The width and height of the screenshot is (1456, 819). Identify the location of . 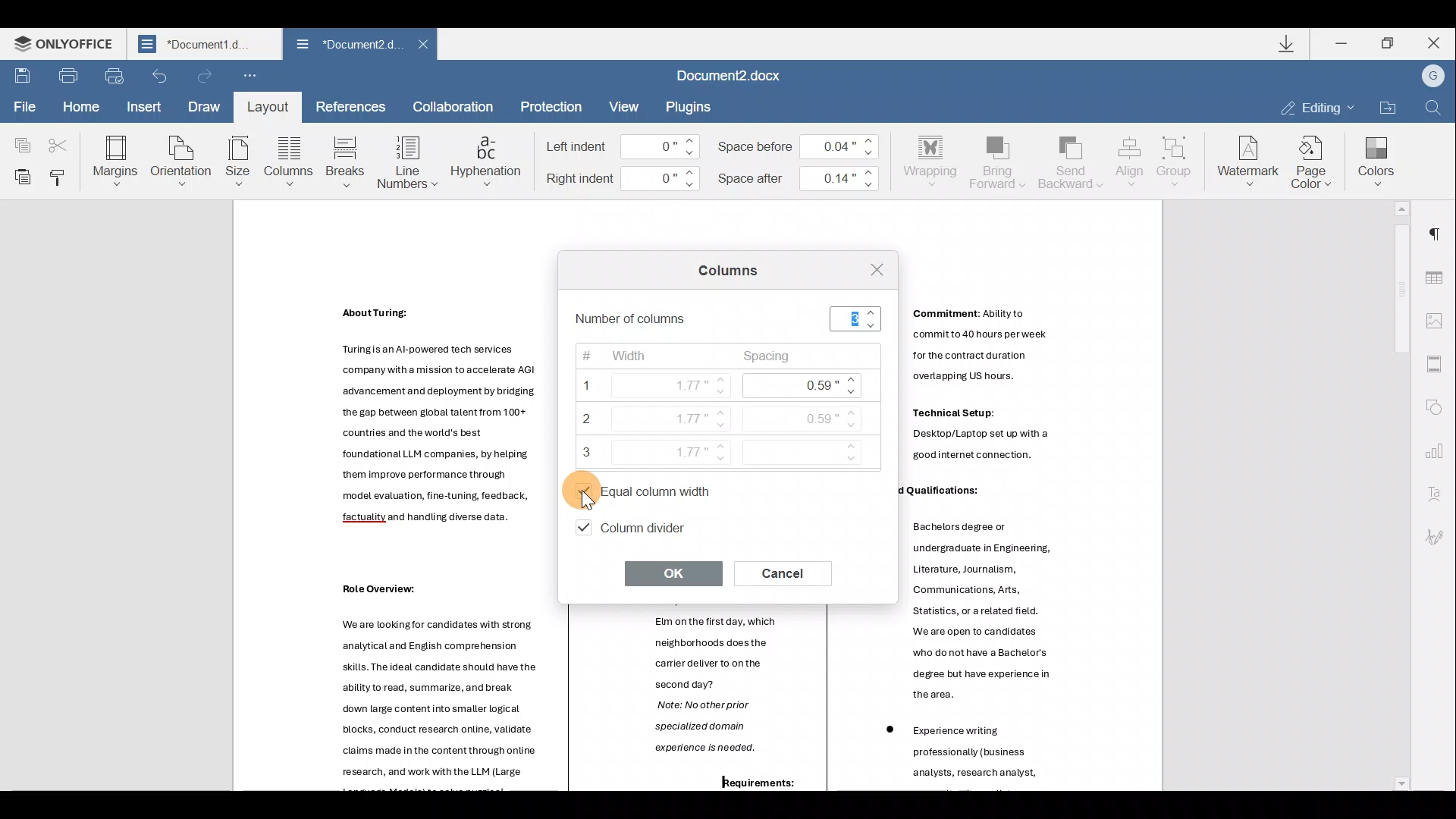
(1002, 347).